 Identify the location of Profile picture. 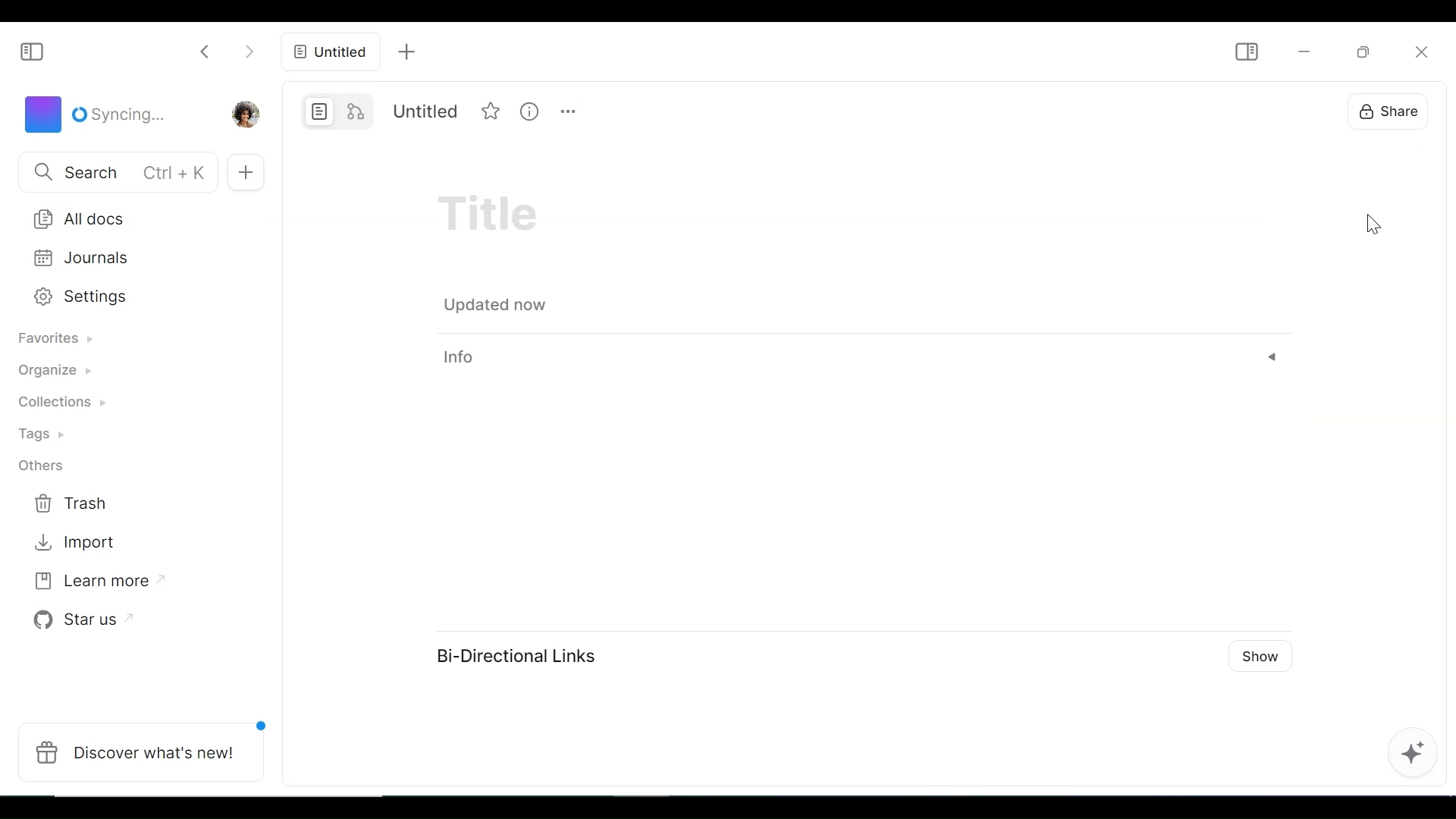
(246, 113).